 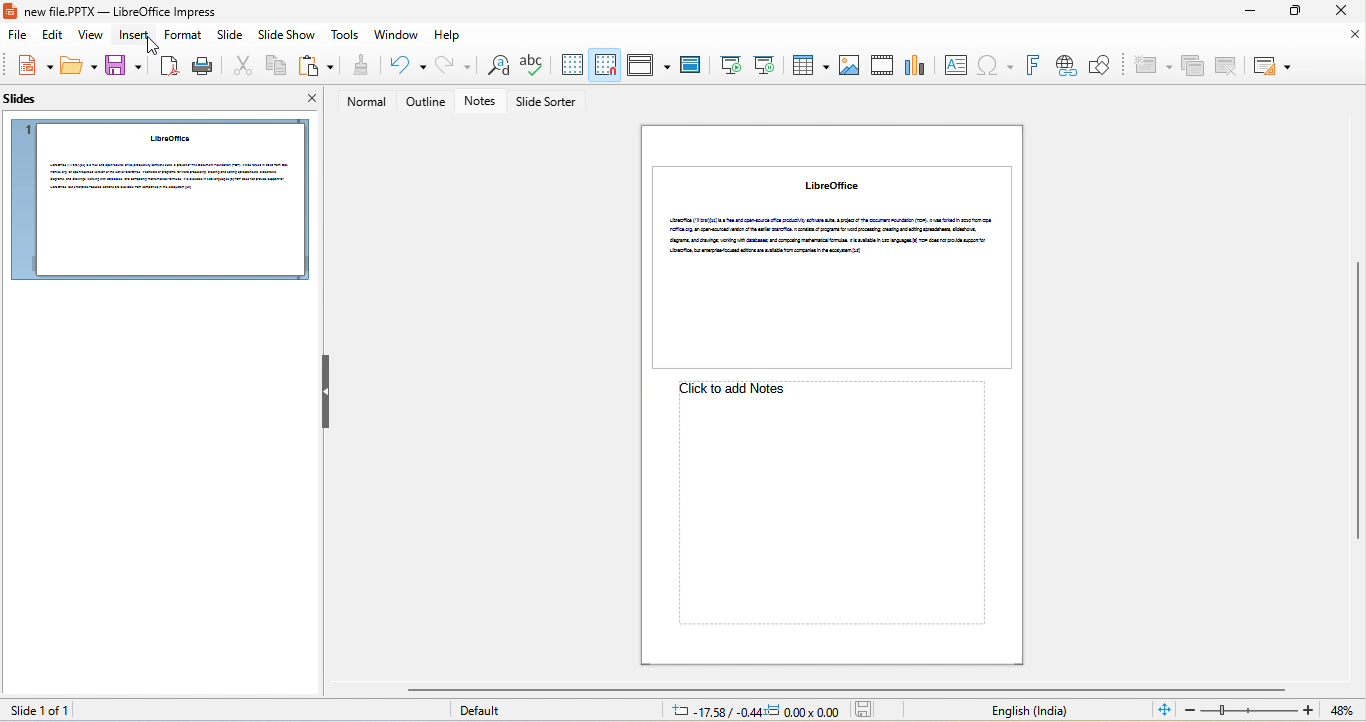 I want to click on slides, so click(x=28, y=103).